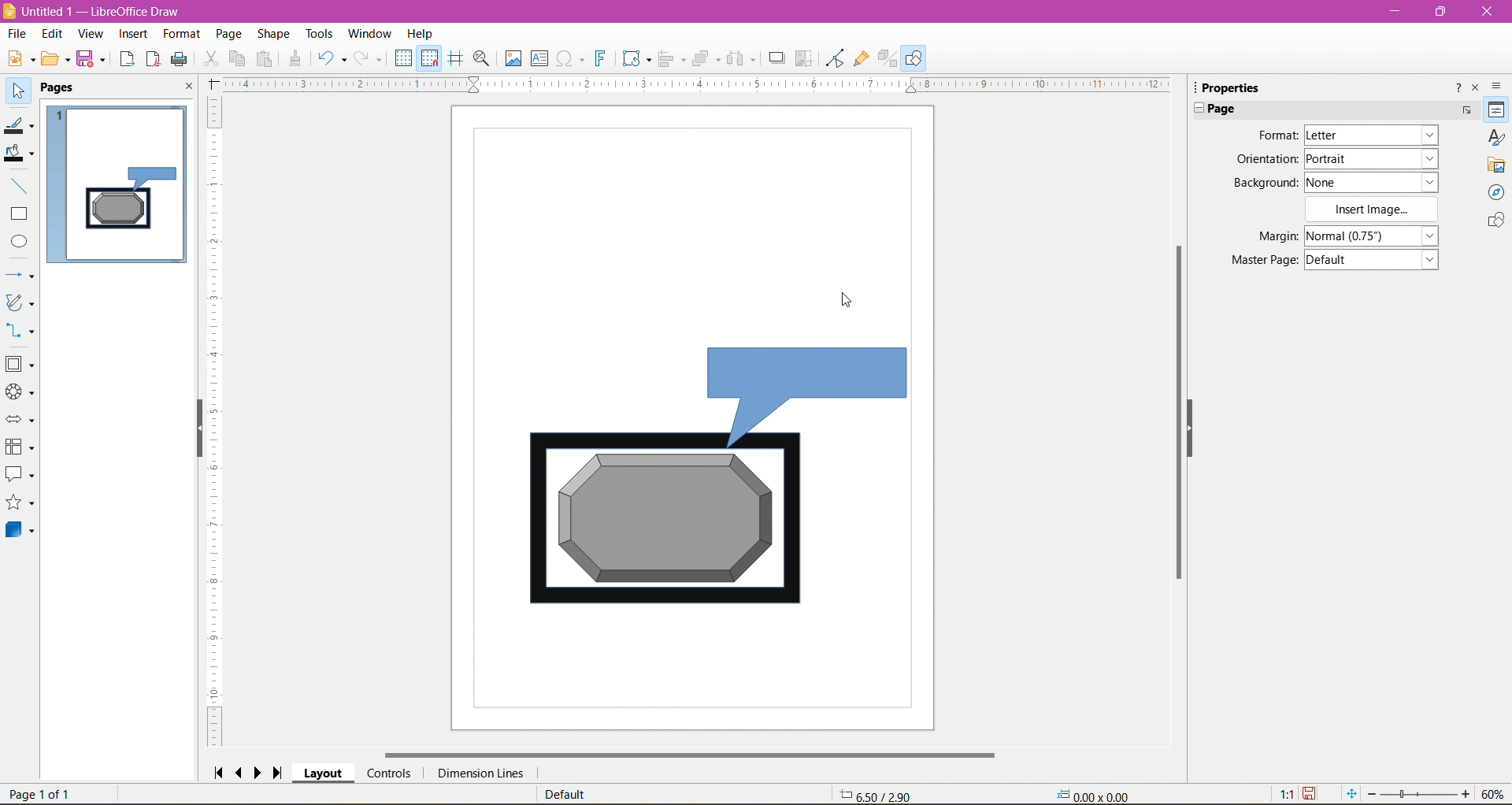 The width and height of the screenshot is (1512, 805). I want to click on Toggle Point Edit Mode, so click(833, 60).